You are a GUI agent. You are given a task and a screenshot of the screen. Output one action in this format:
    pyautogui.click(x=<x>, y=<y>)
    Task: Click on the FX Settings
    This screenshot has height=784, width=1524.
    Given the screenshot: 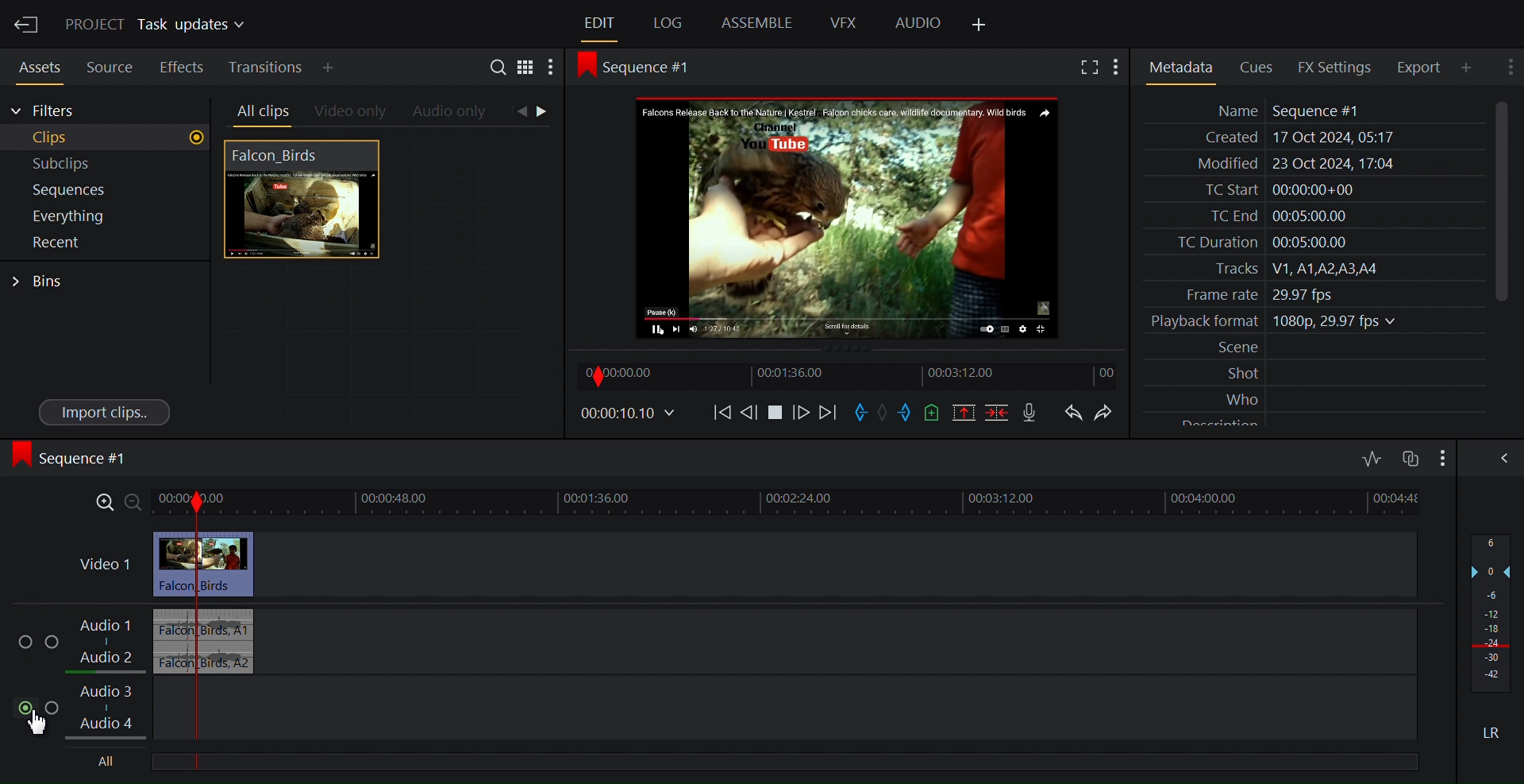 What is the action you would take?
    pyautogui.click(x=1337, y=67)
    